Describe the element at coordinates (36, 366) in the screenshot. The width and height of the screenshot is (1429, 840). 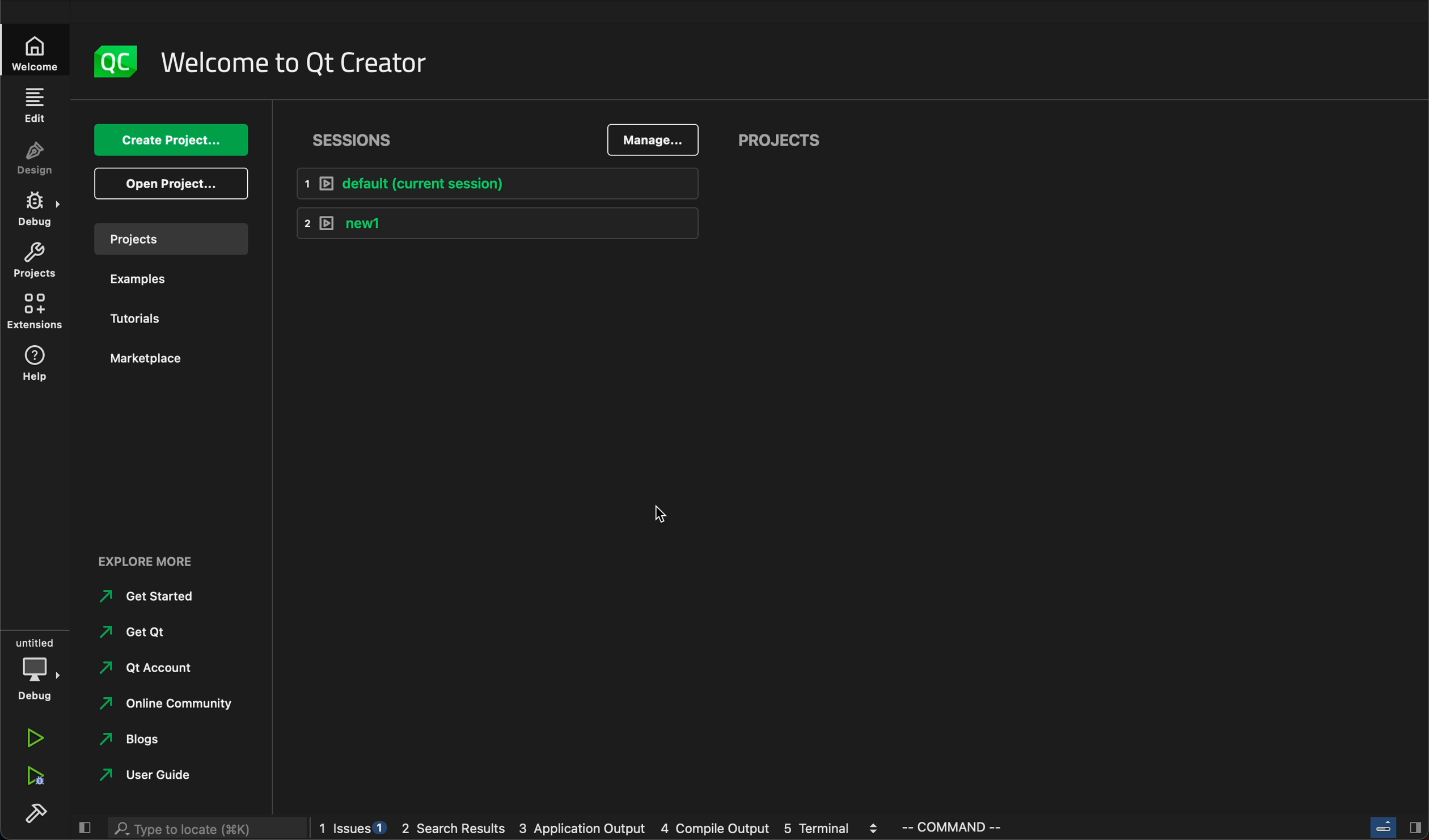
I see `help` at that location.